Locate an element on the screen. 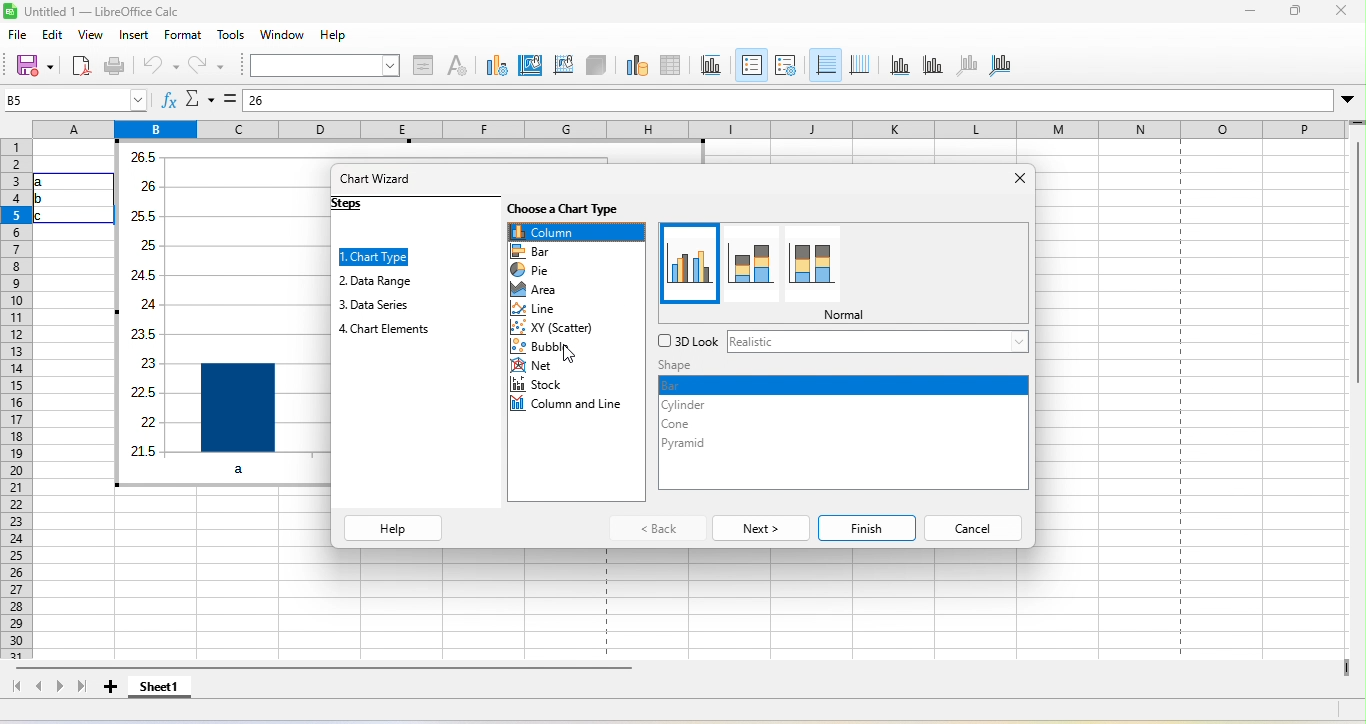 This screenshot has width=1366, height=724. xy is located at coordinates (559, 325).